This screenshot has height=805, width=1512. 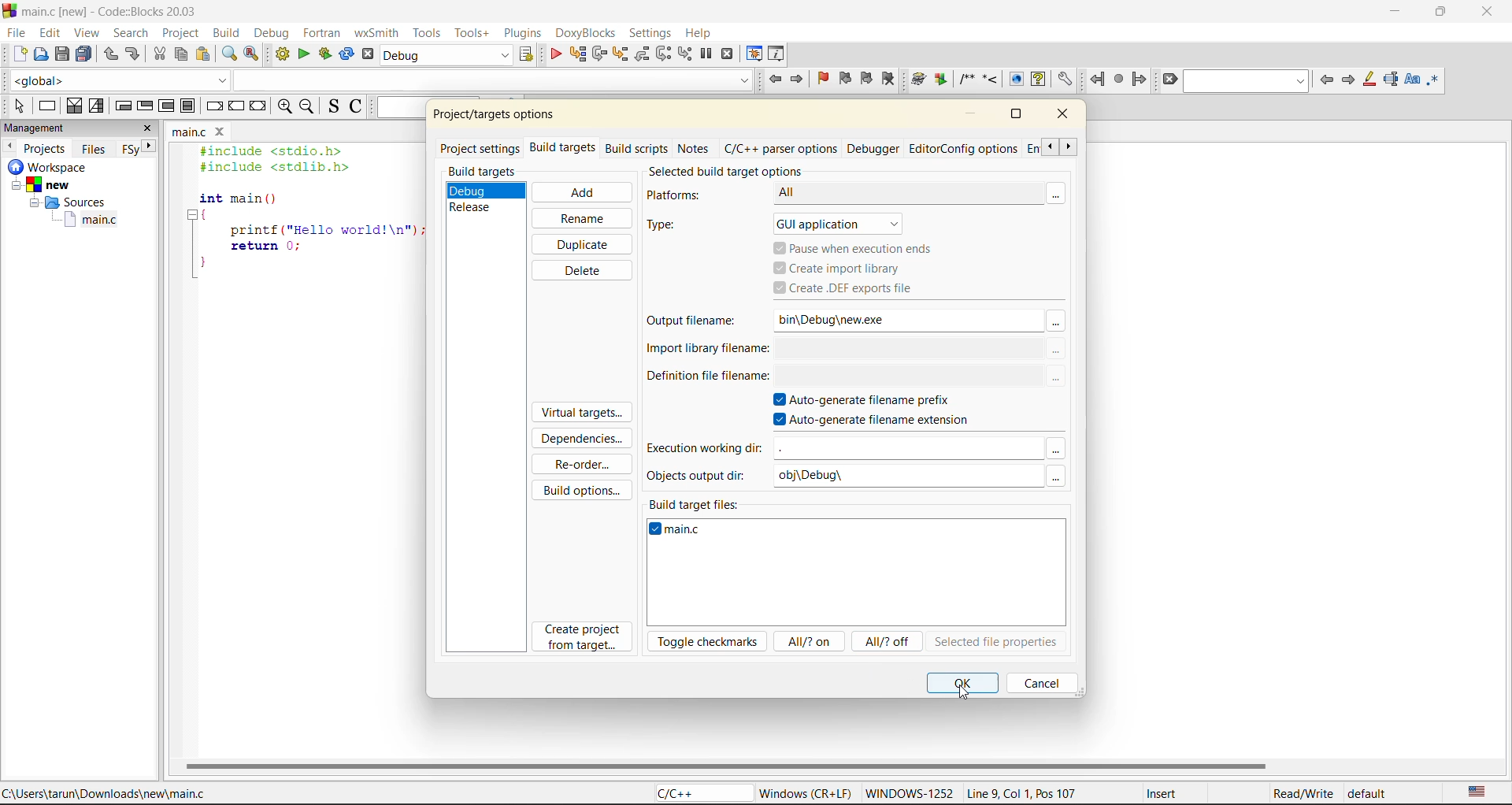 What do you see at coordinates (493, 79) in the screenshot?
I see `code completion search` at bounding box center [493, 79].